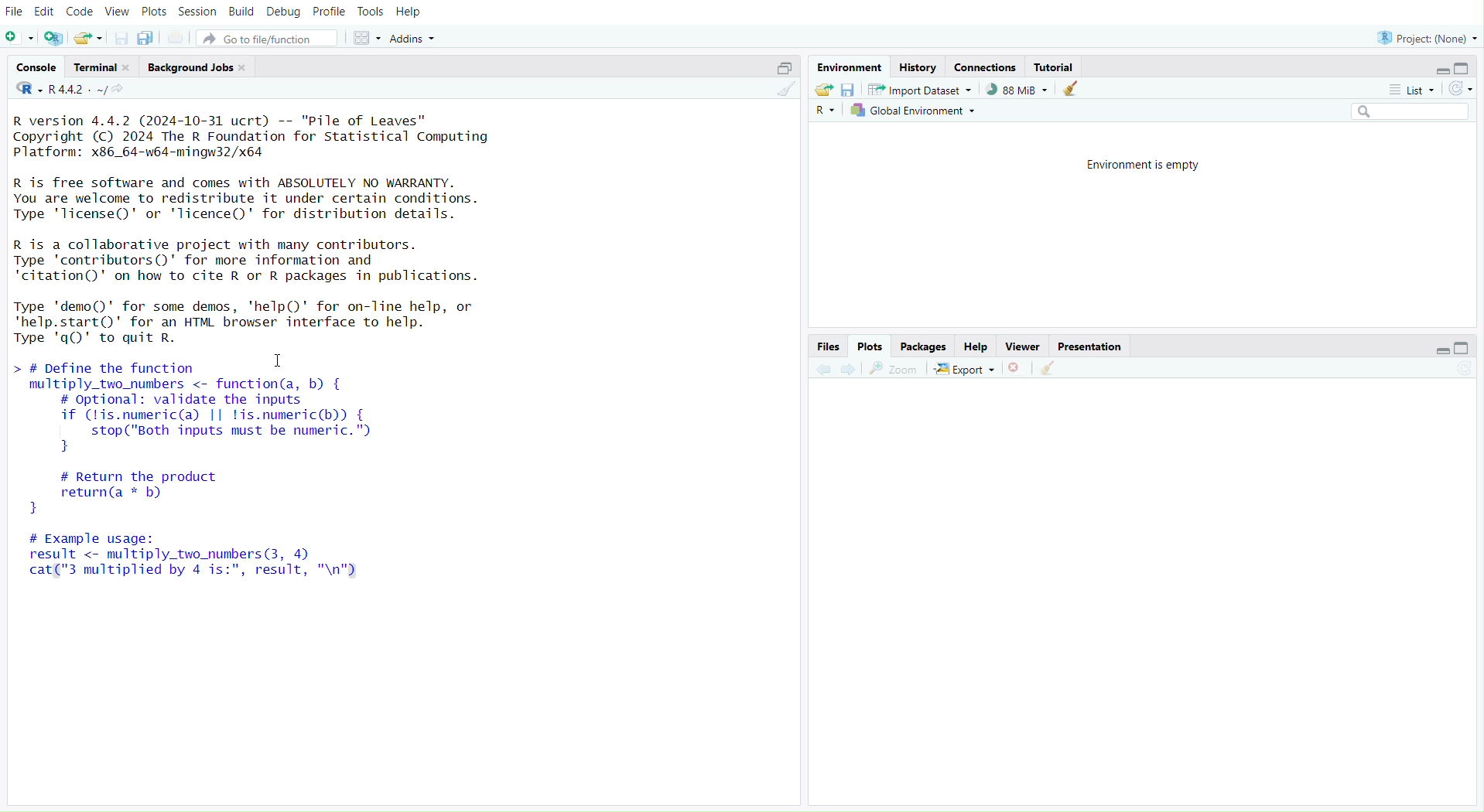 This screenshot has width=1484, height=812. Describe the element at coordinates (1413, 90) in the screenshot. I see `List` at that location.